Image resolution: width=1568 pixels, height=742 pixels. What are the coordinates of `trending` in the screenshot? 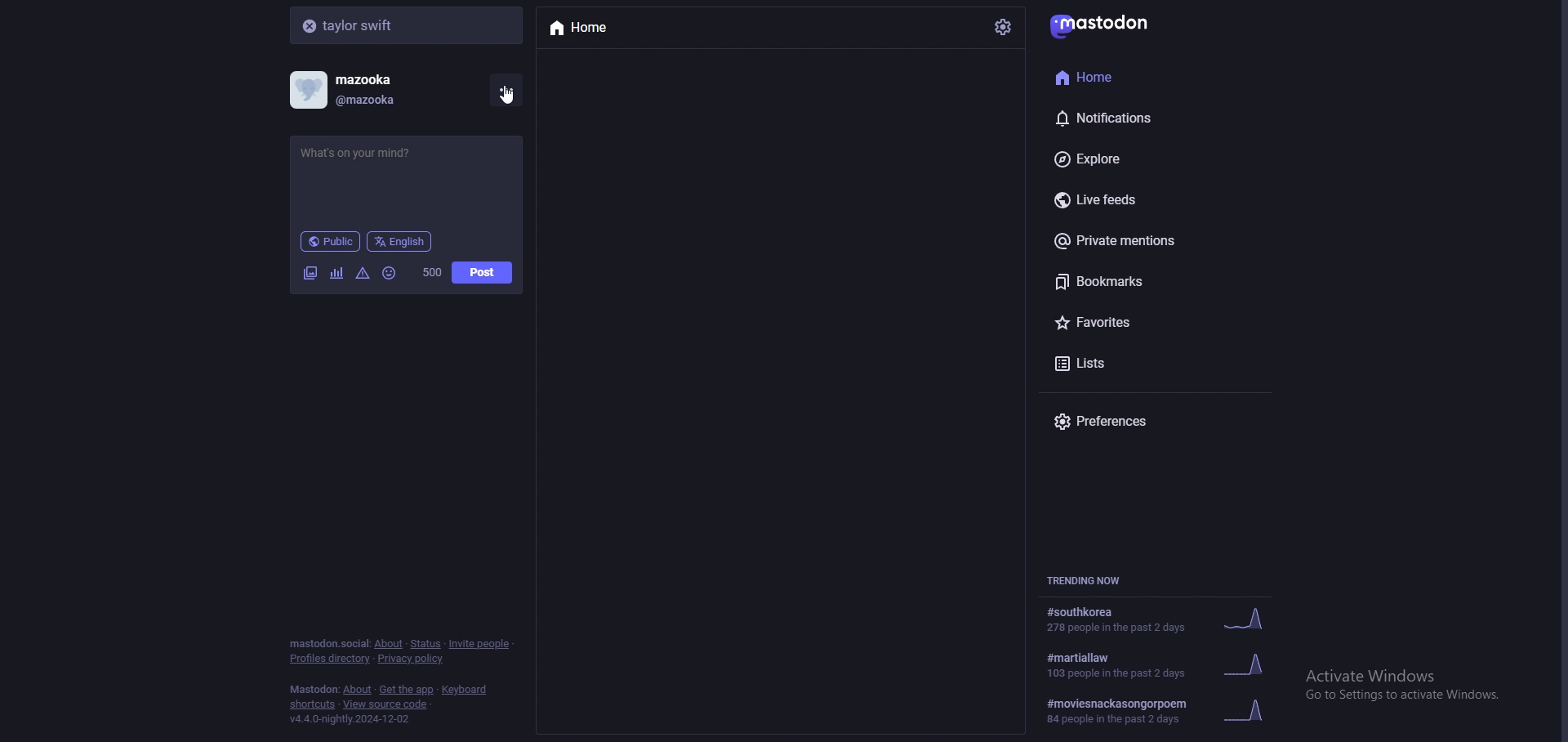 It's located at (1163, 709).